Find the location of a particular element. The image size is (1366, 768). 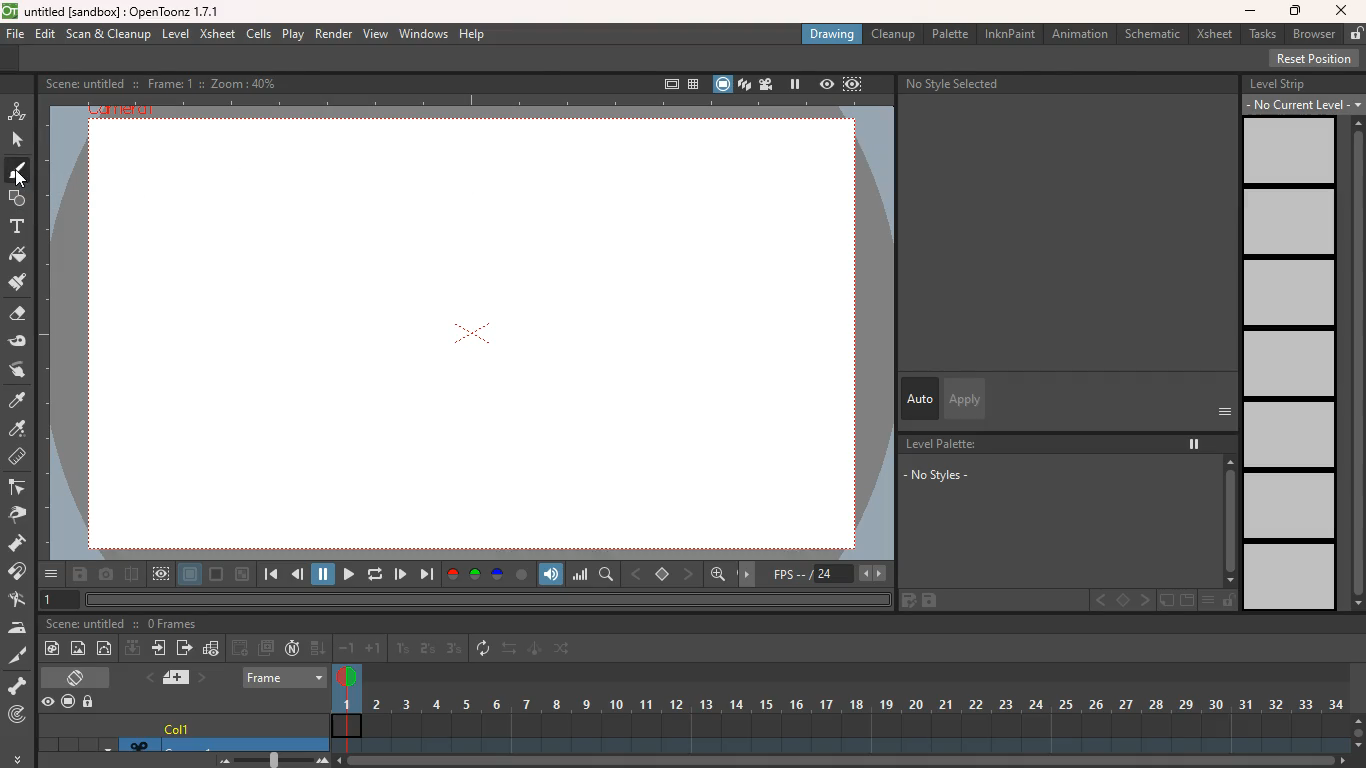

Col1 is located at coordinates (241, 725).